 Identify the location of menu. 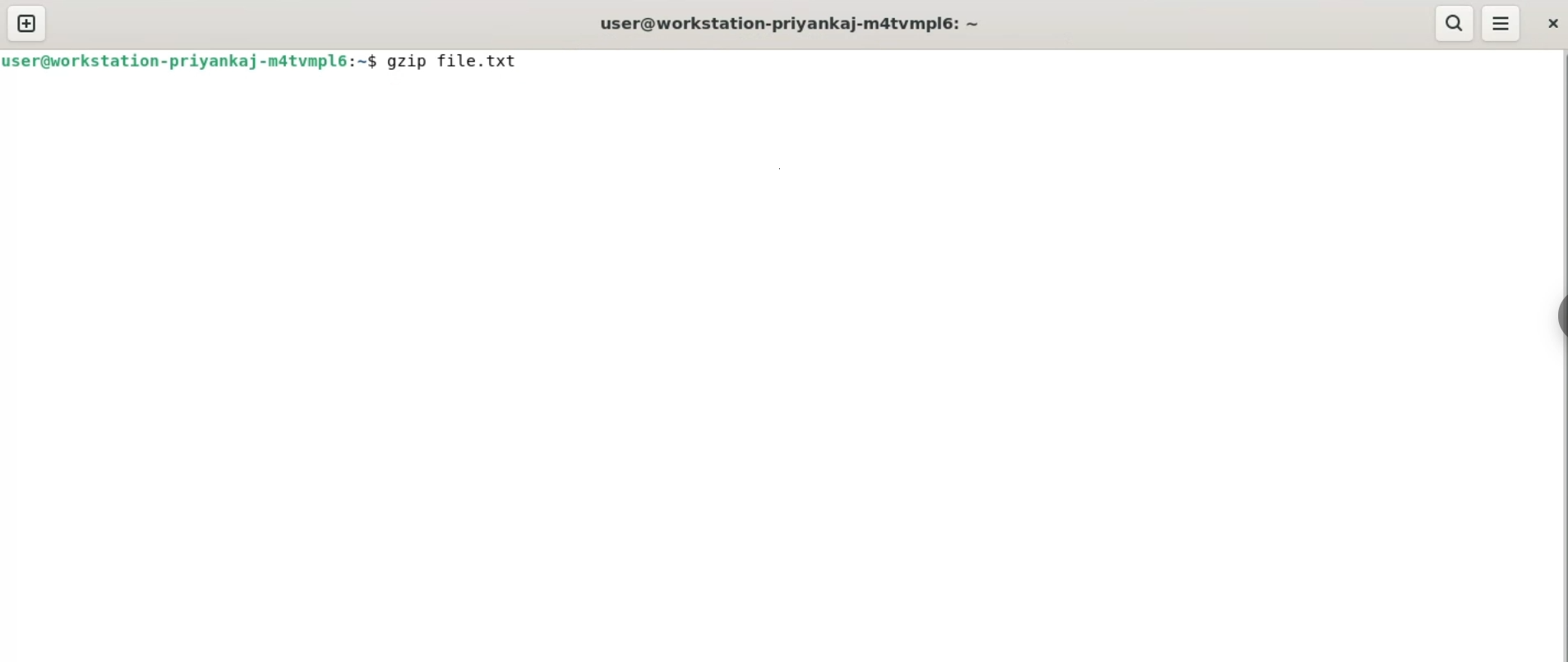
(1501, 23).